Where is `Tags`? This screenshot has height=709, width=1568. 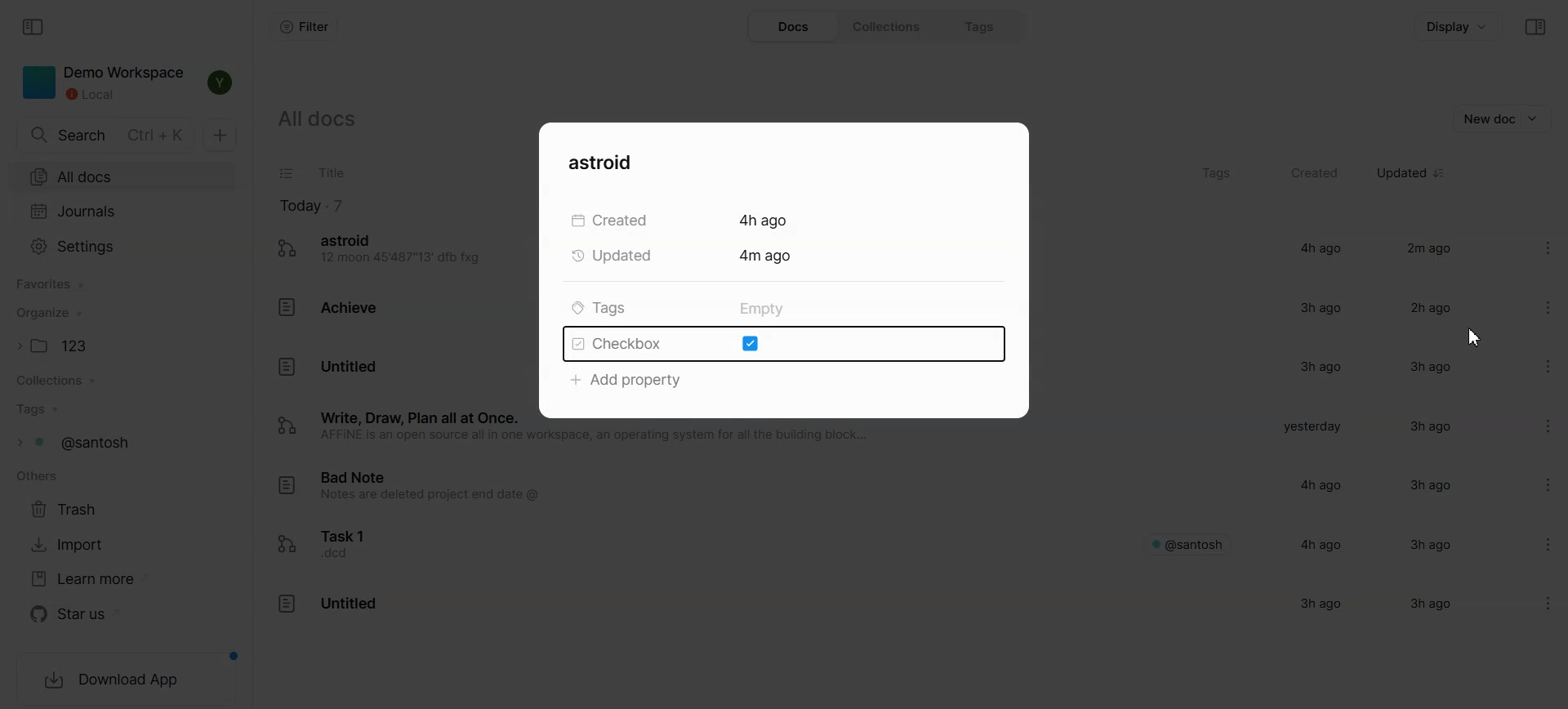 Tags is located at coordinates (122, 410).